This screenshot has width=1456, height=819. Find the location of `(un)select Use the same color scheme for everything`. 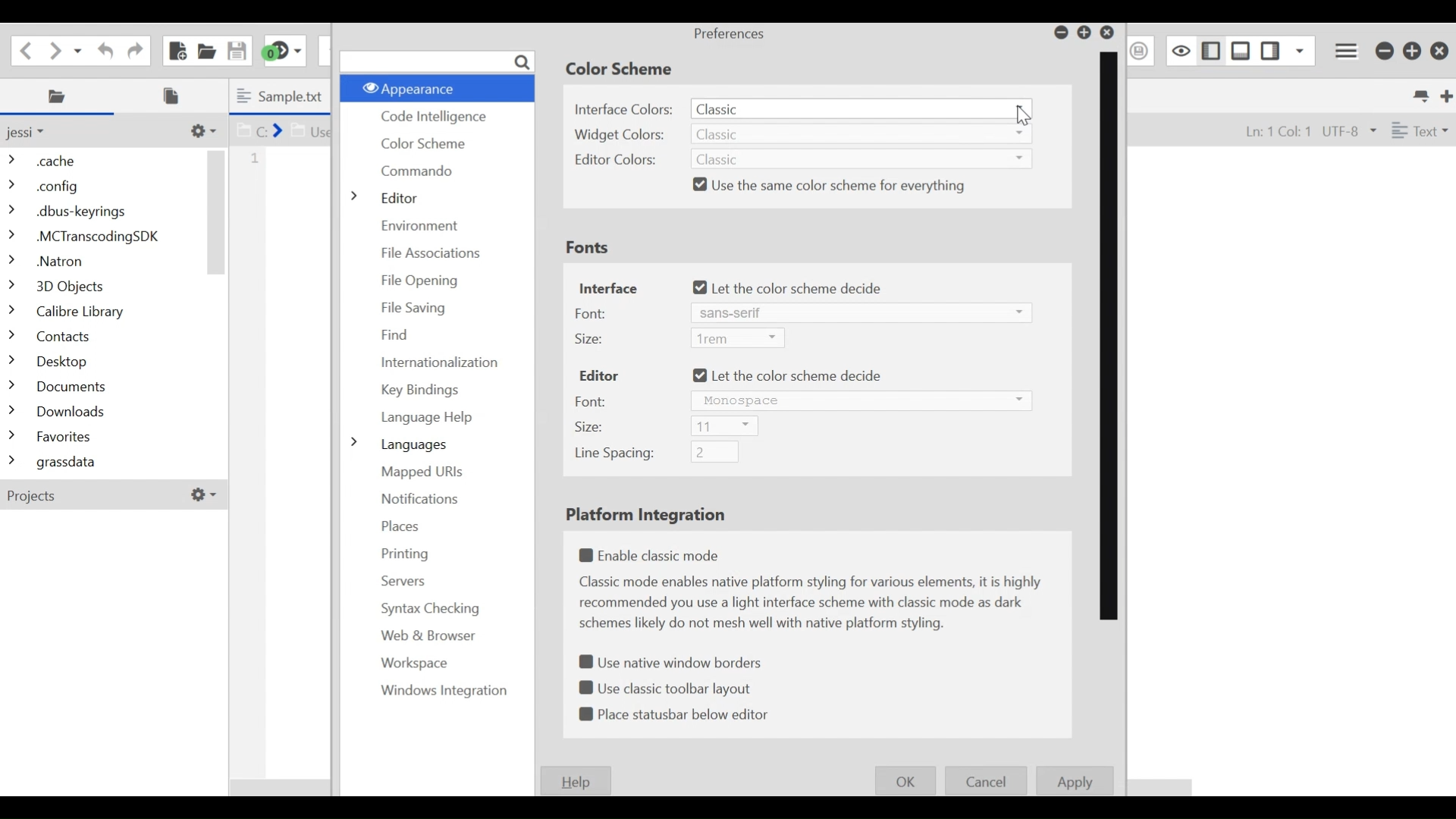

(un)select Use the same color scheme for everything is located at coordinates (835, 185).